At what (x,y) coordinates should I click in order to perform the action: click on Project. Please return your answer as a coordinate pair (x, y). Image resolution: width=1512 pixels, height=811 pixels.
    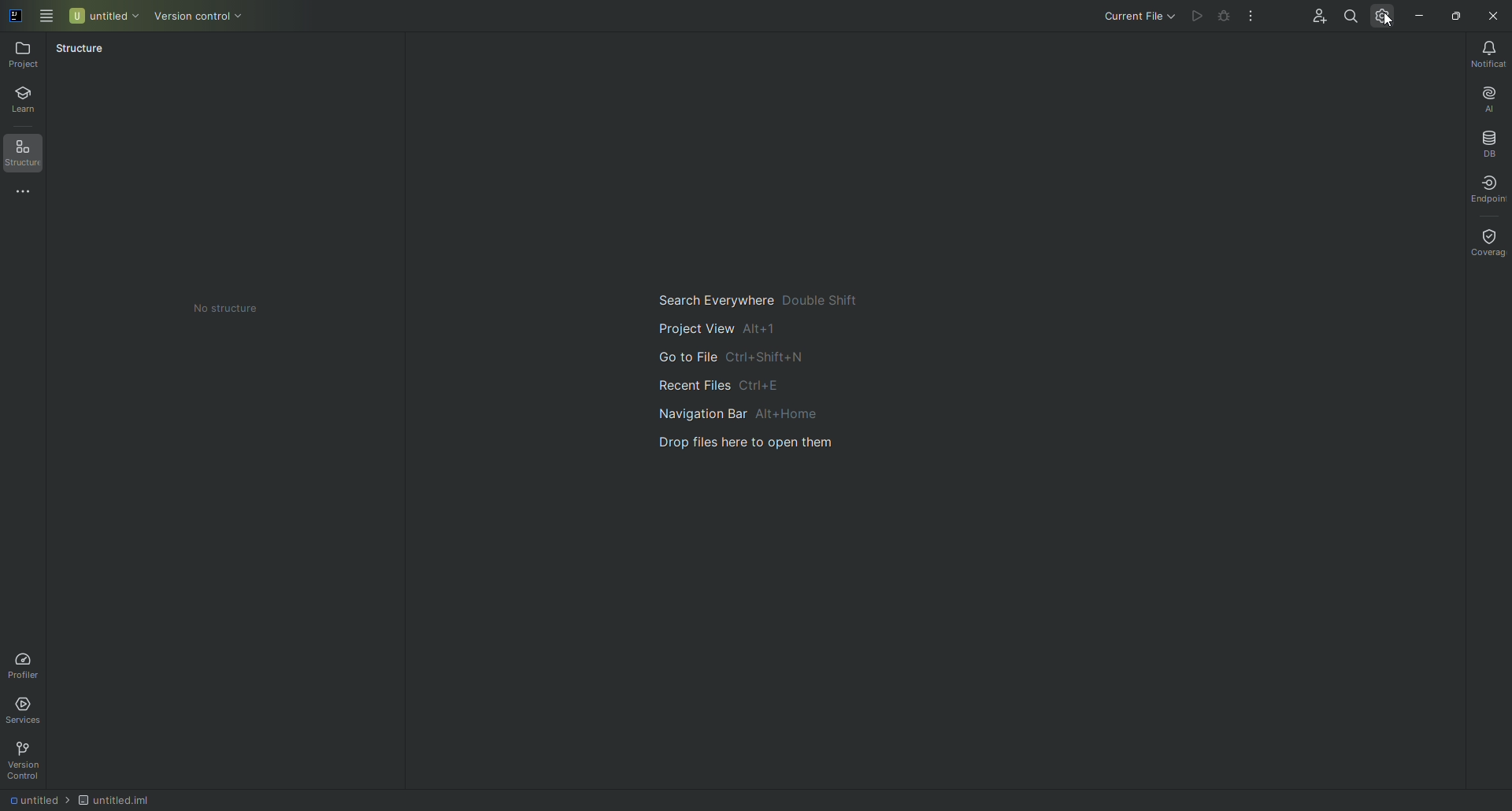
    Looking at the image, I should click on (28, 56).